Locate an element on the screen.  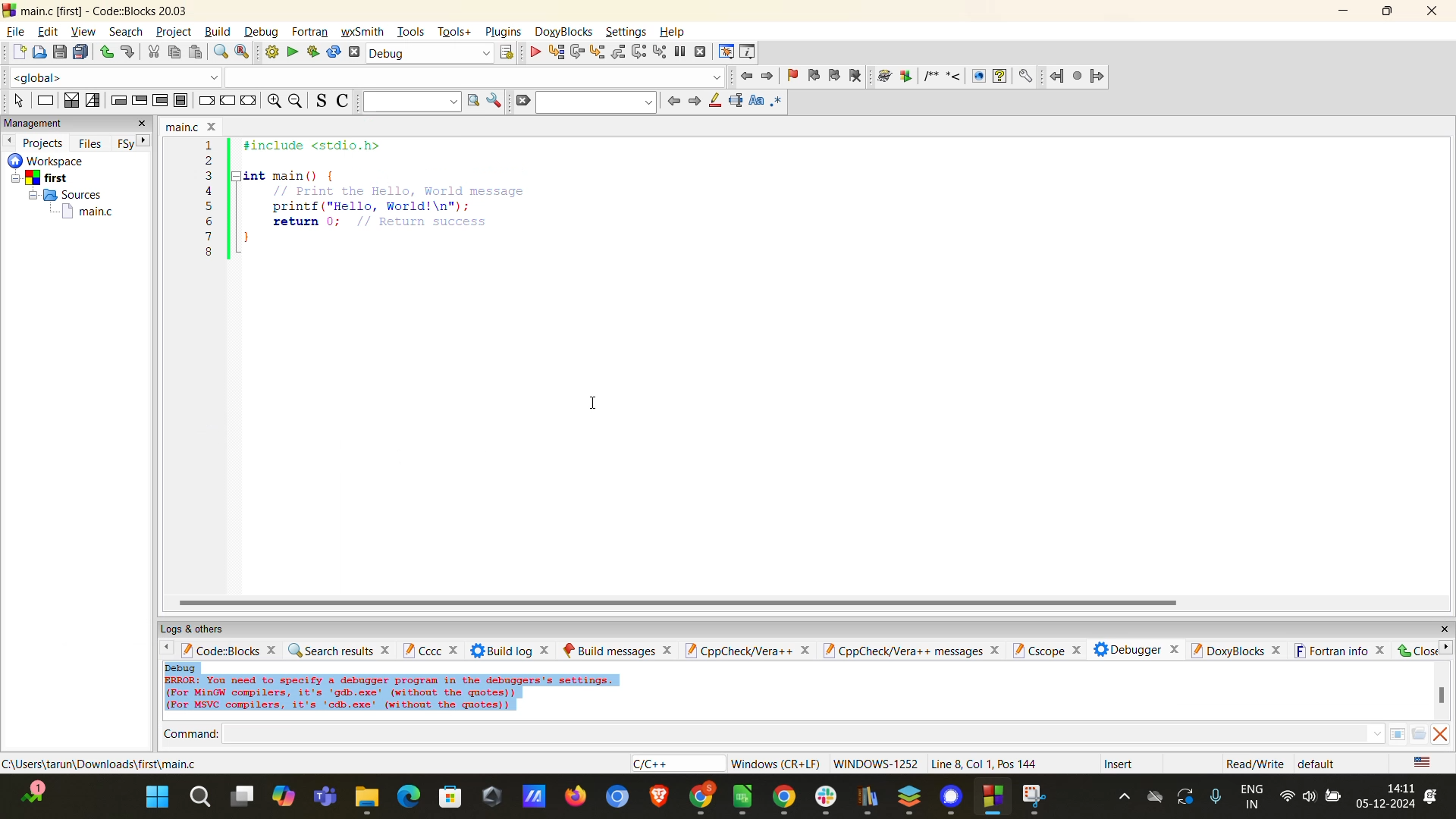
internet is located at coordinates (1286, 799).